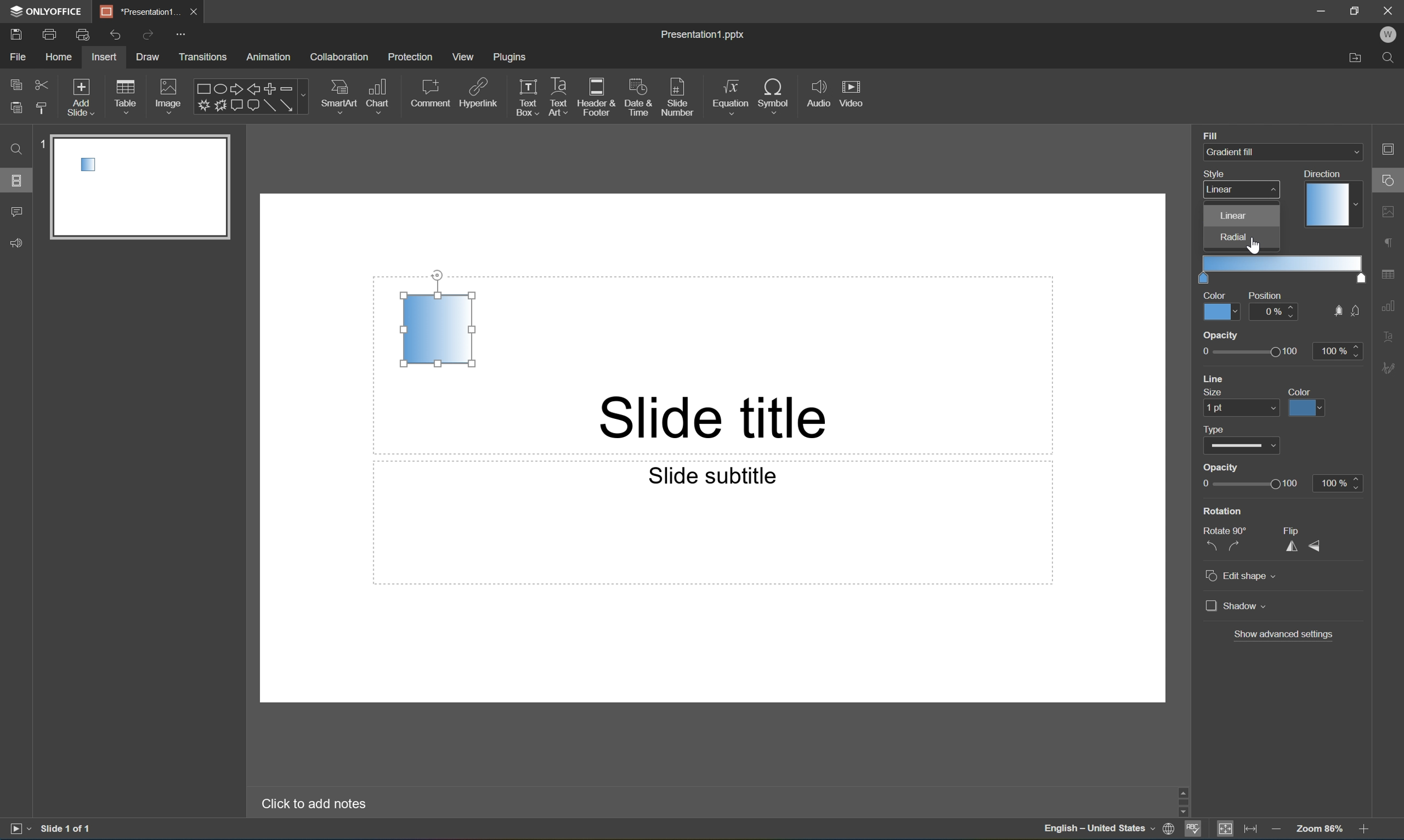 The width and height of the screenshot is (1404, 840). What do you see at coordinates (269, 106) in the screenshot?
I see `Rectangle` at bounding box center [269, 106].